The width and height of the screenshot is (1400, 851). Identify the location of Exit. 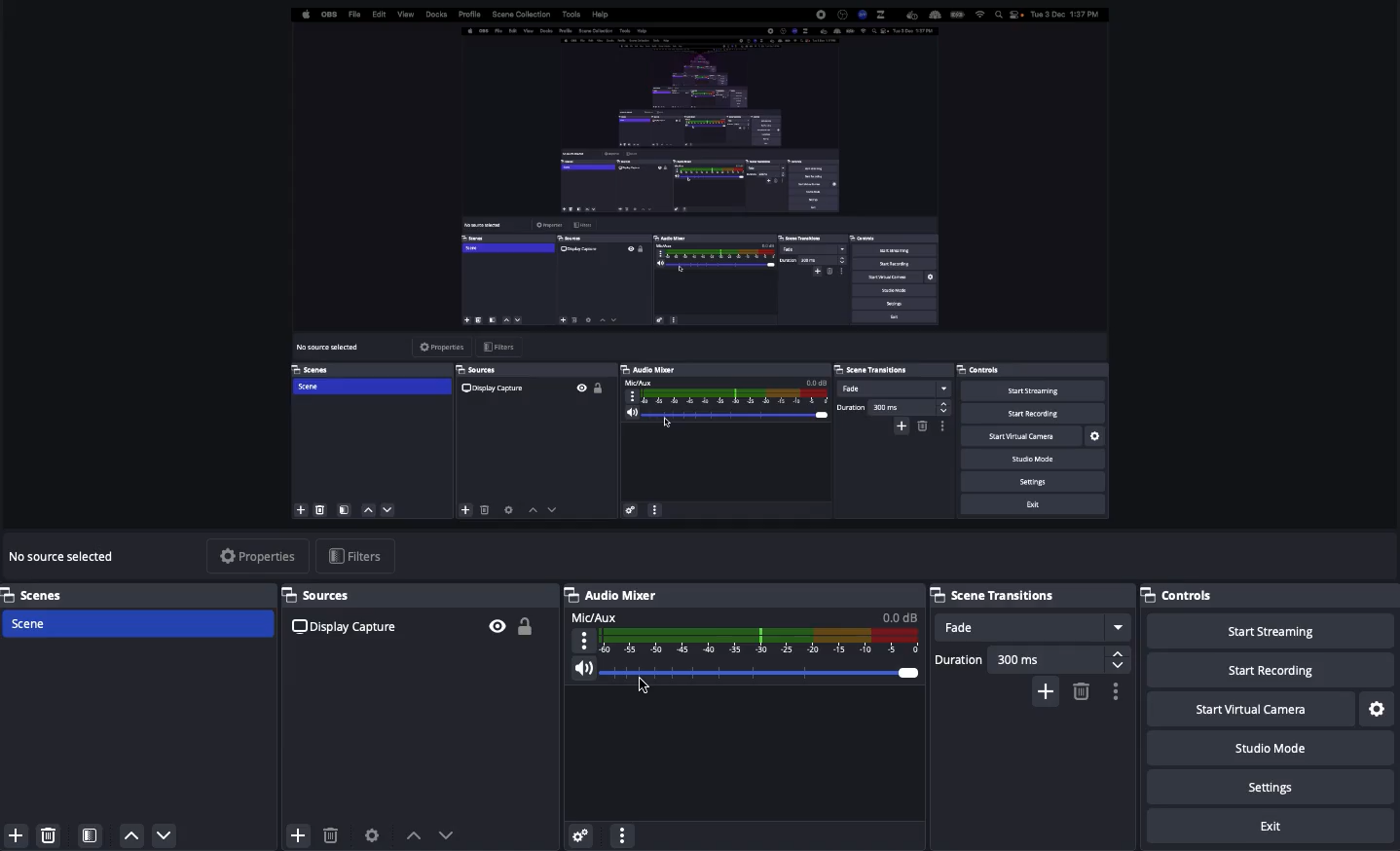
(1273, 827).